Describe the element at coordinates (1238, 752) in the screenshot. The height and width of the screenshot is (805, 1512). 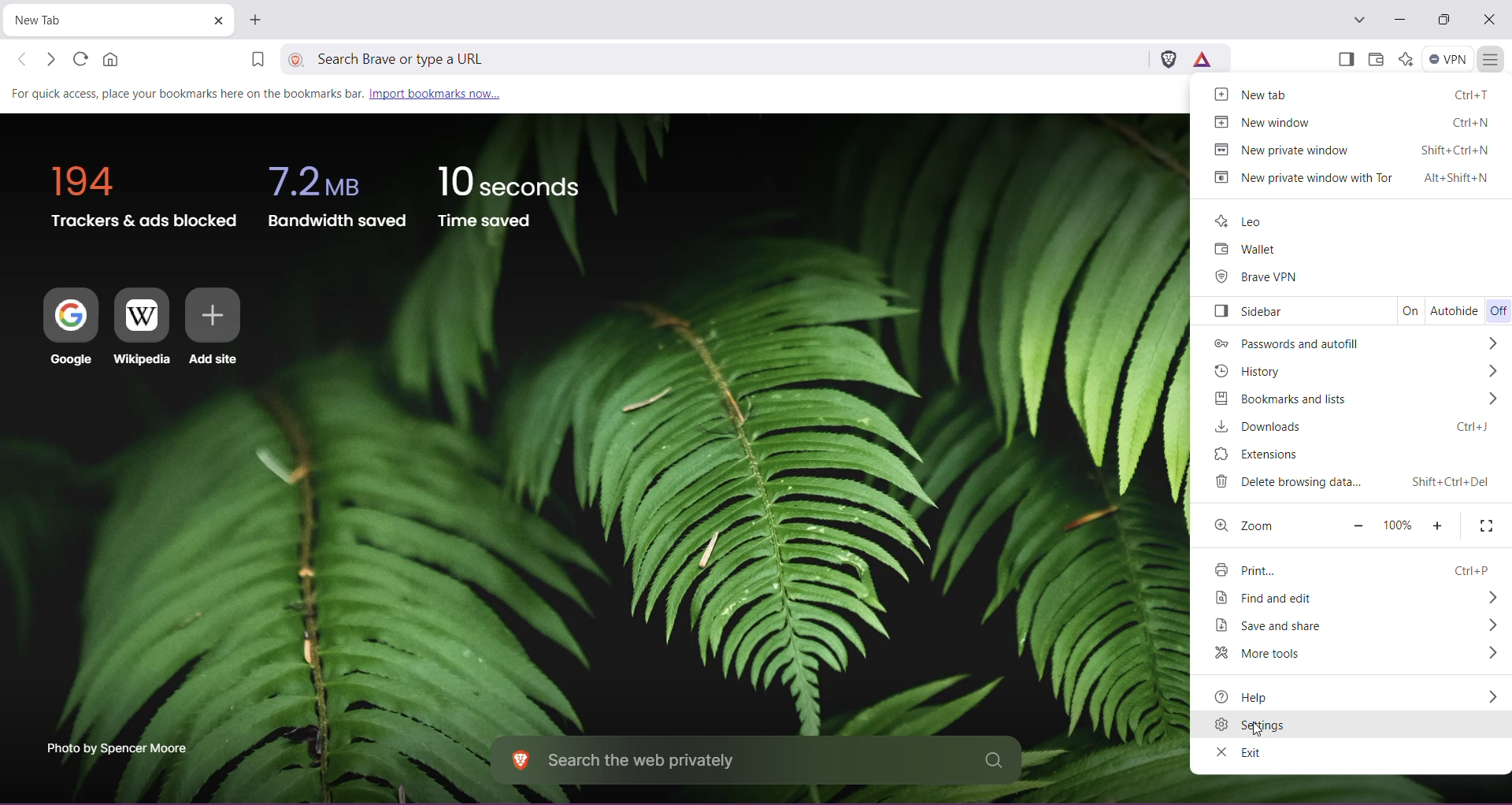
I see `Exit` at that location.